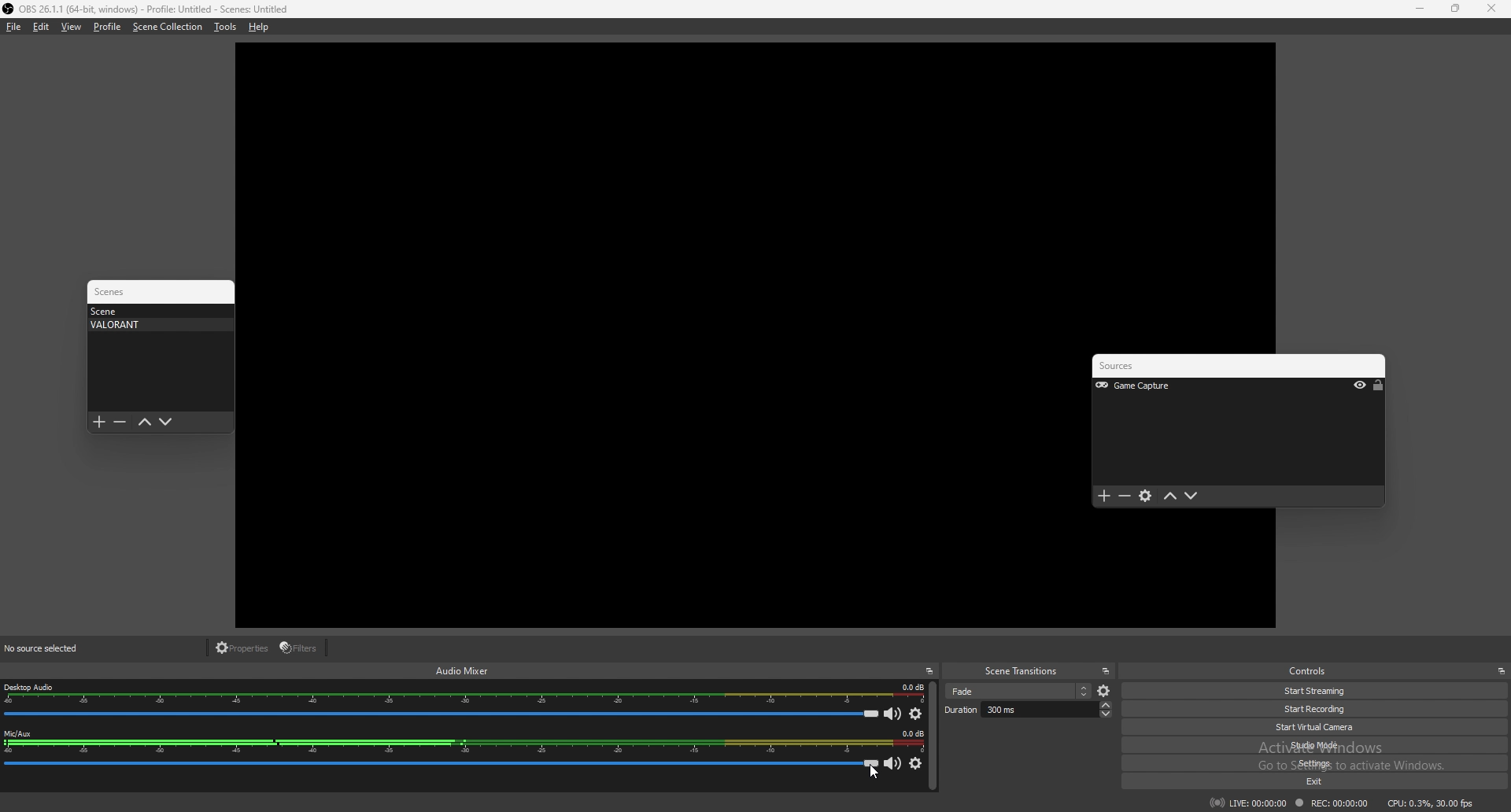  Describe the element at coordinates (166, 423) in the screenshot. I see `move down` at that location.